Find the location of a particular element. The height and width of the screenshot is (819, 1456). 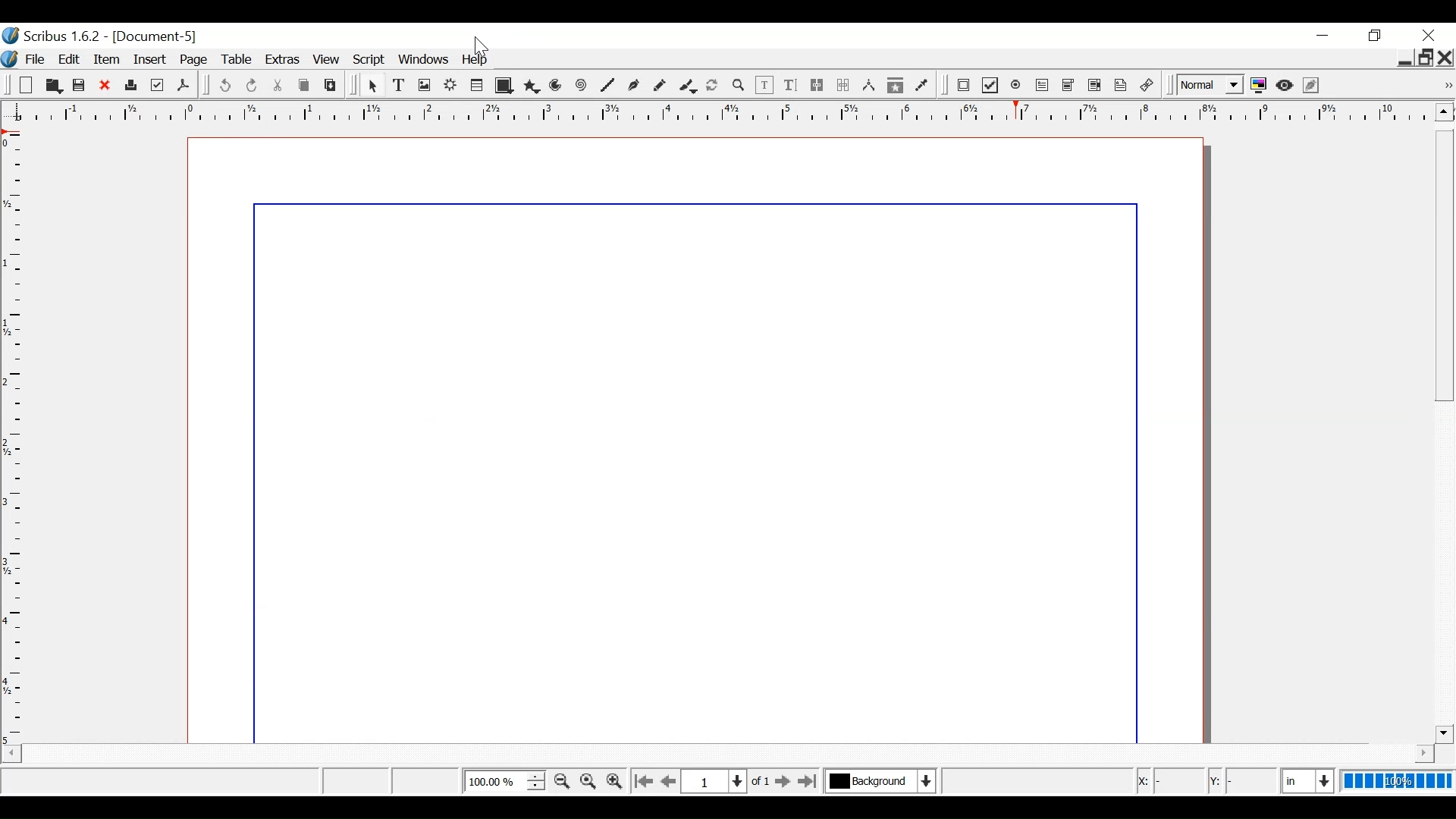

Copy Items properties is located at coordinates (895, 86).